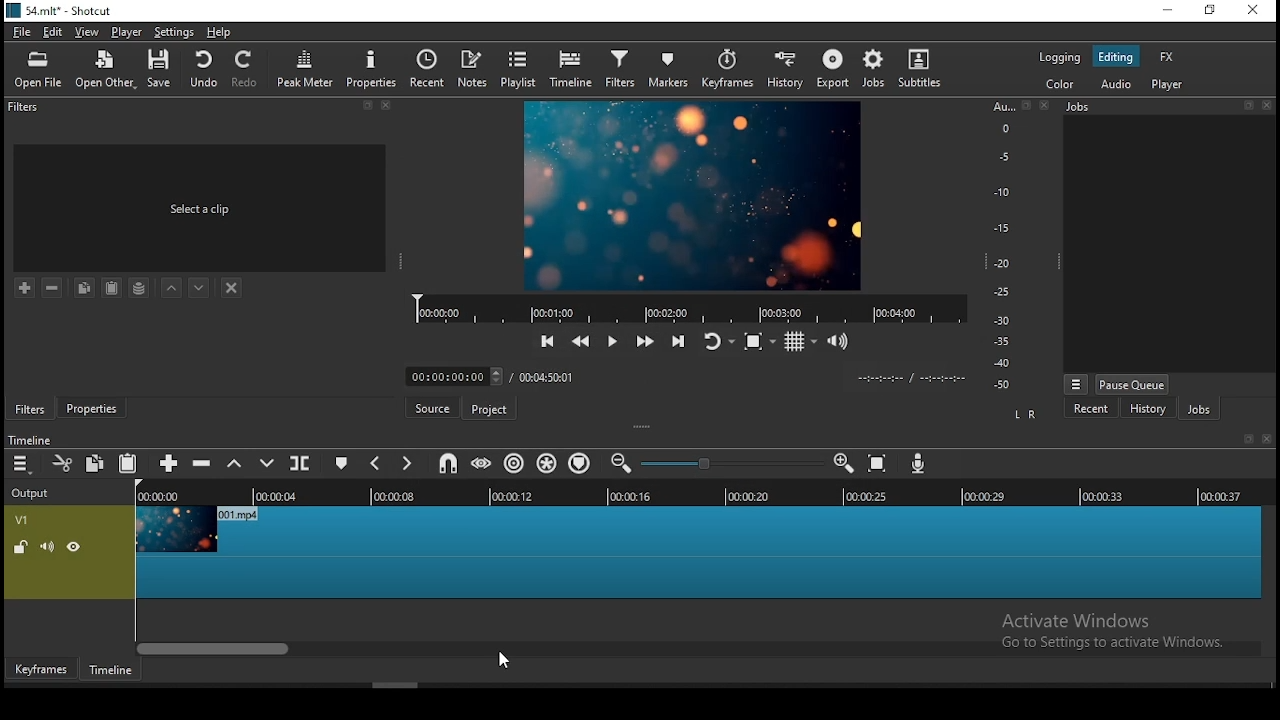 This screenshot has width=1280, height=720. Describe the element at coordinates (1170, 85) in the screenshot. I see `player` at that location.